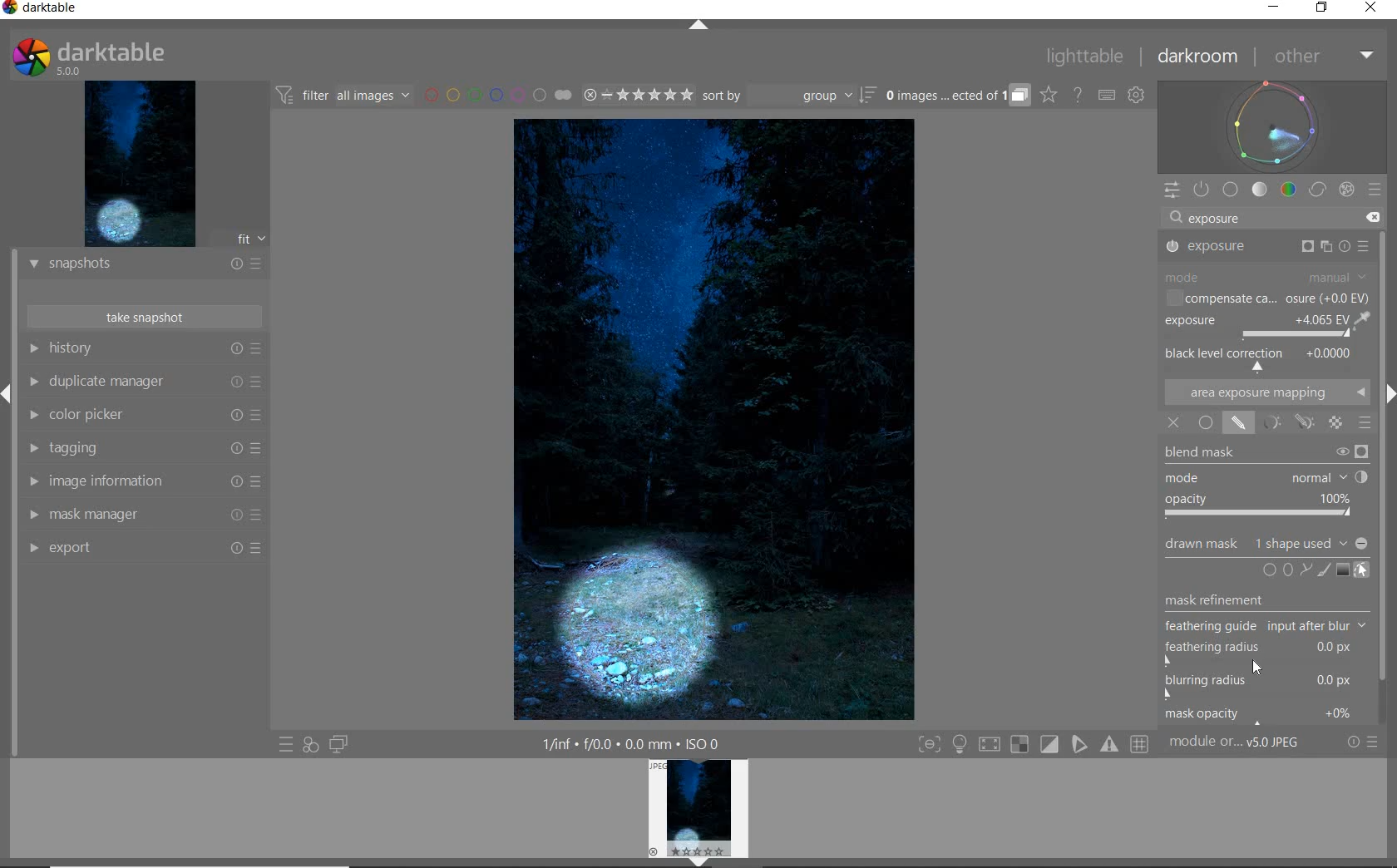  What do you see at coordinates (141, 162) in the screenshot?
I see `IMAGE PREVIEW` at bounding box center [141, 162].